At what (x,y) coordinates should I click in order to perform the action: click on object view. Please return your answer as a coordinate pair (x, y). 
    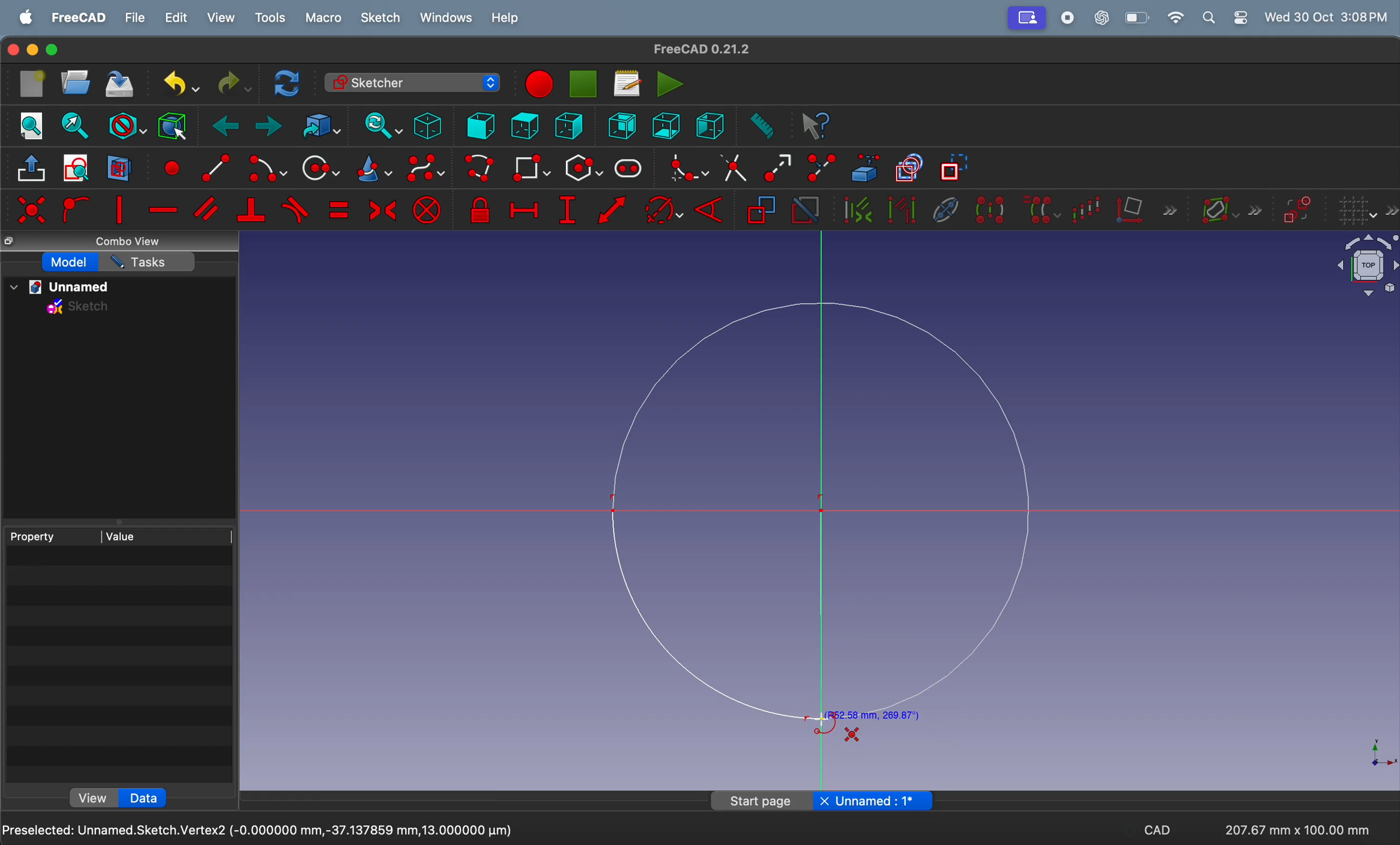
    Looking at the image, I should click on (1357, 268).